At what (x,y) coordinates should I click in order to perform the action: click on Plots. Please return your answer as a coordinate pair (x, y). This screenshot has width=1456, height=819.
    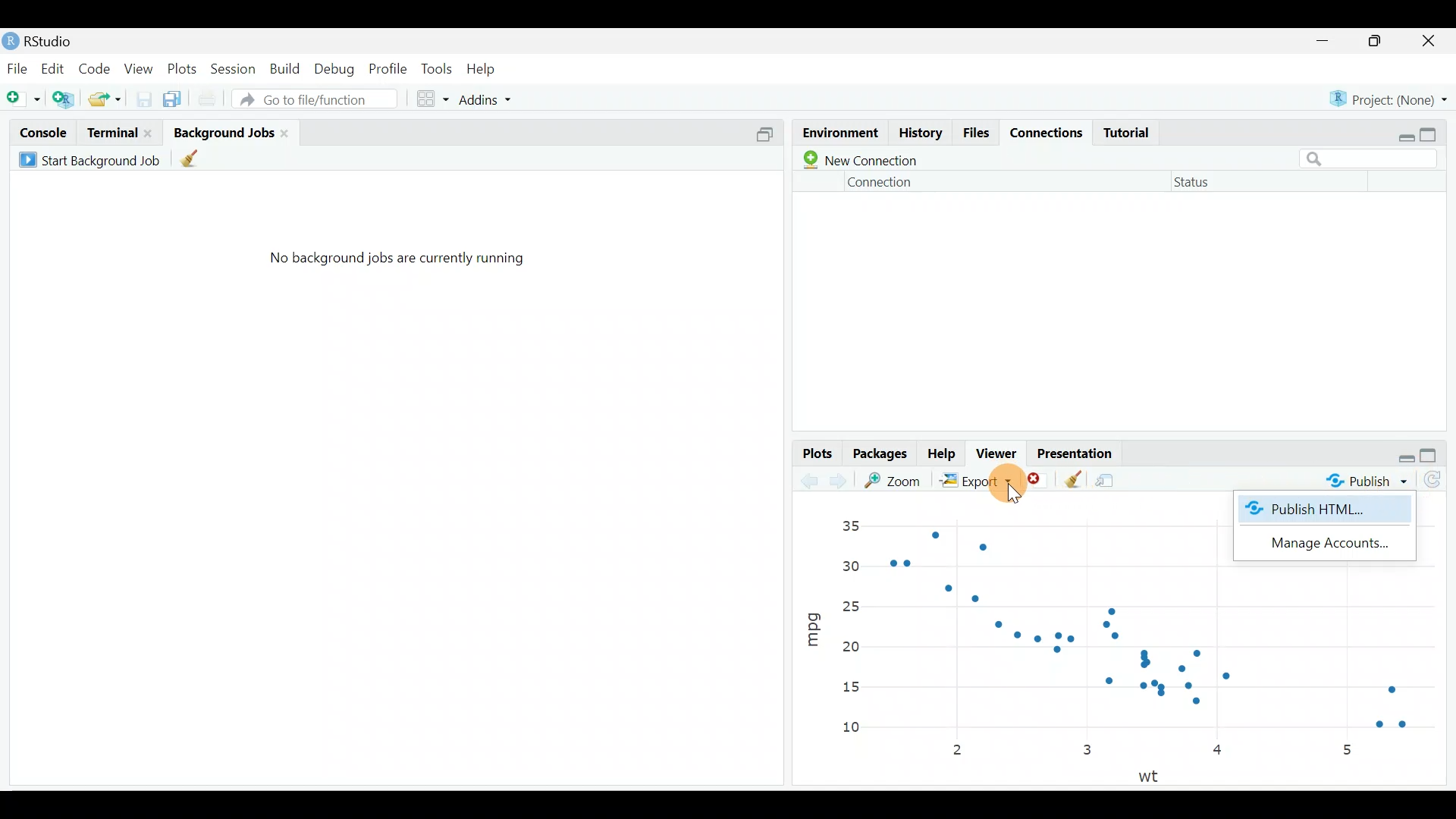
    Looking at the image, I should click on (816, 452).